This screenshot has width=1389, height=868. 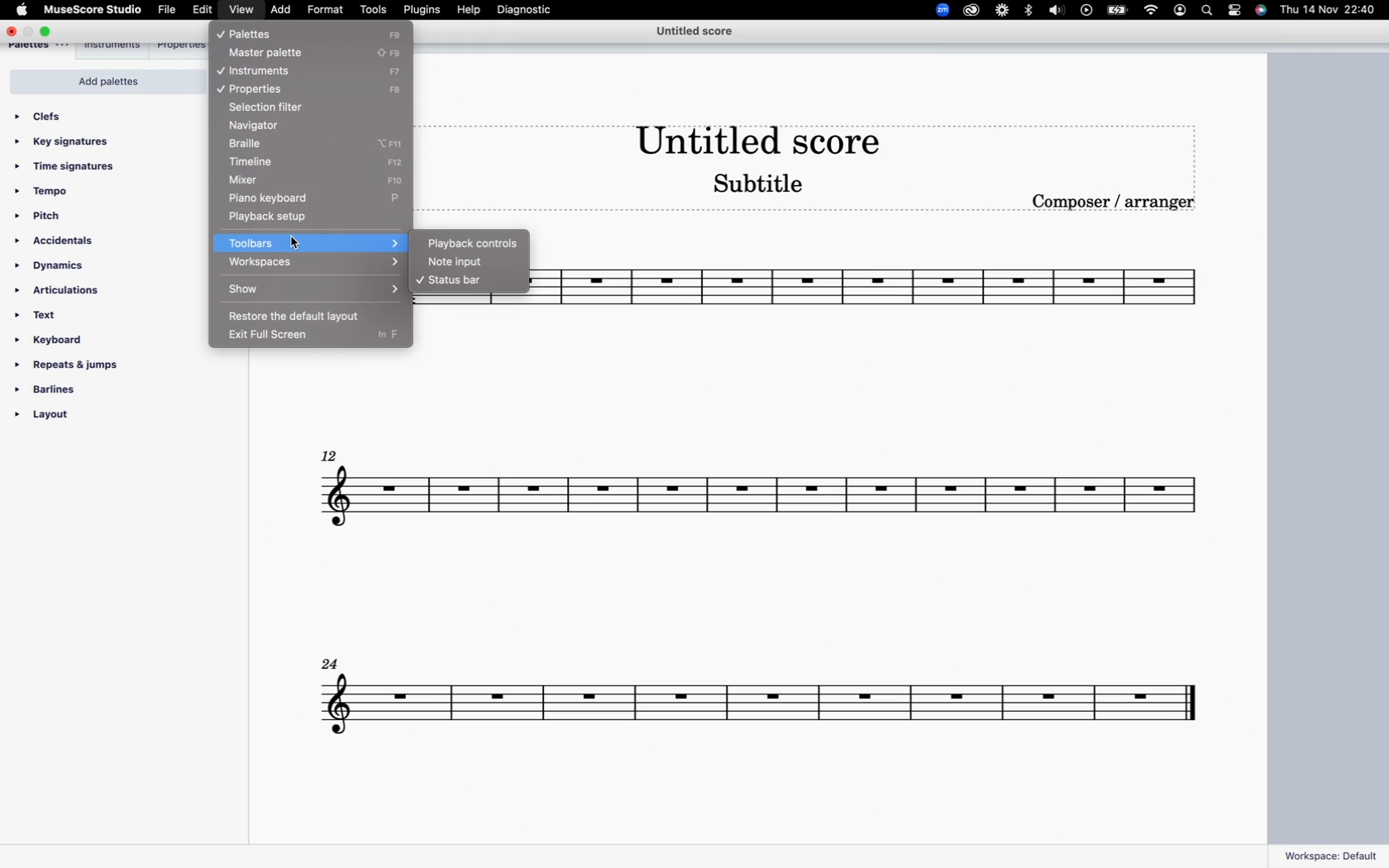 What do you see at coordinates (30, 31) in the screenshot?
I see `minimize` at bounding box center [30, 31].